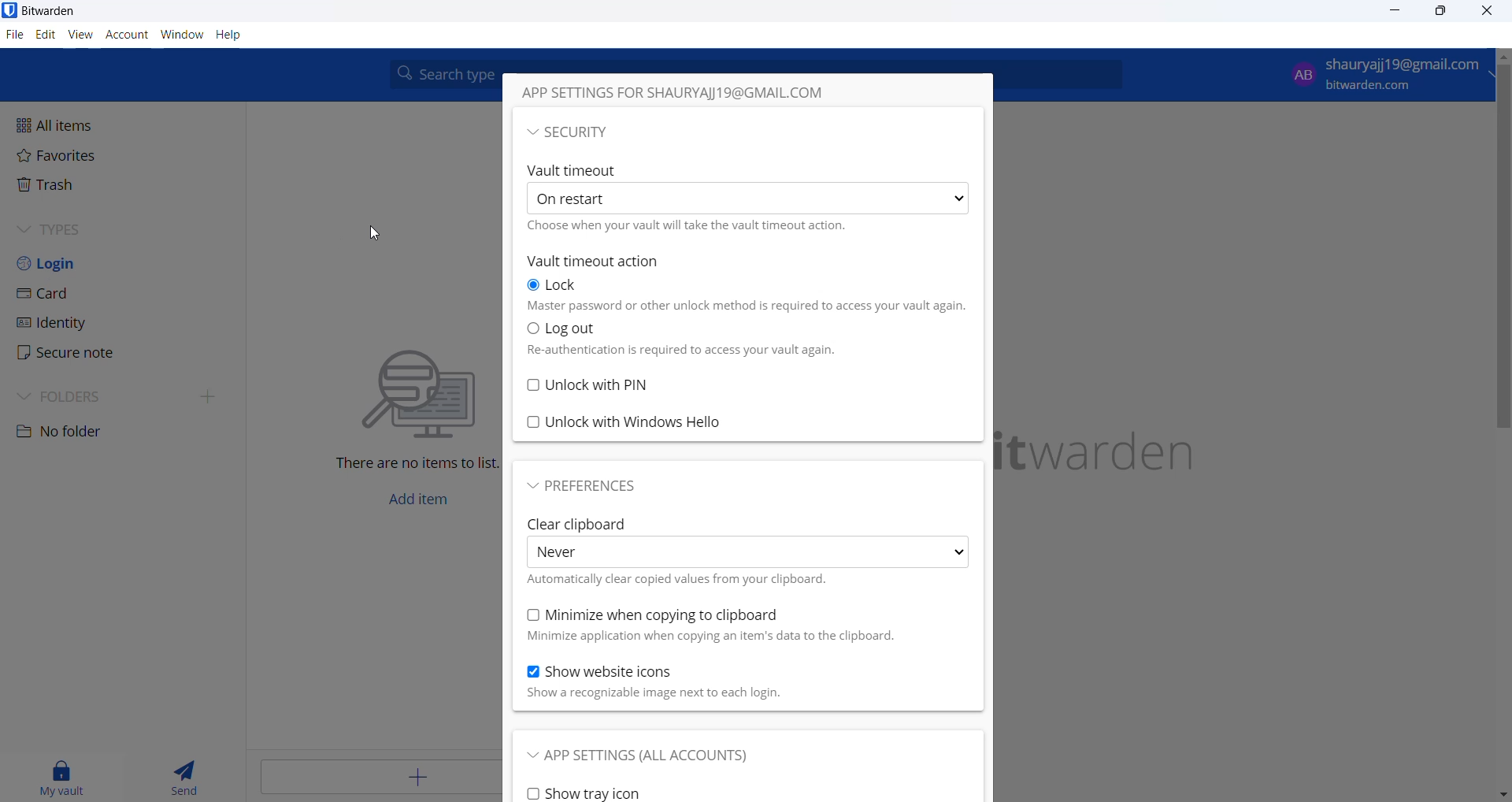 The width and height of the screenshot is (1512, 802). Describe the element at coordinates (117, 434) in the screenshot. I see `no folder` at that location.